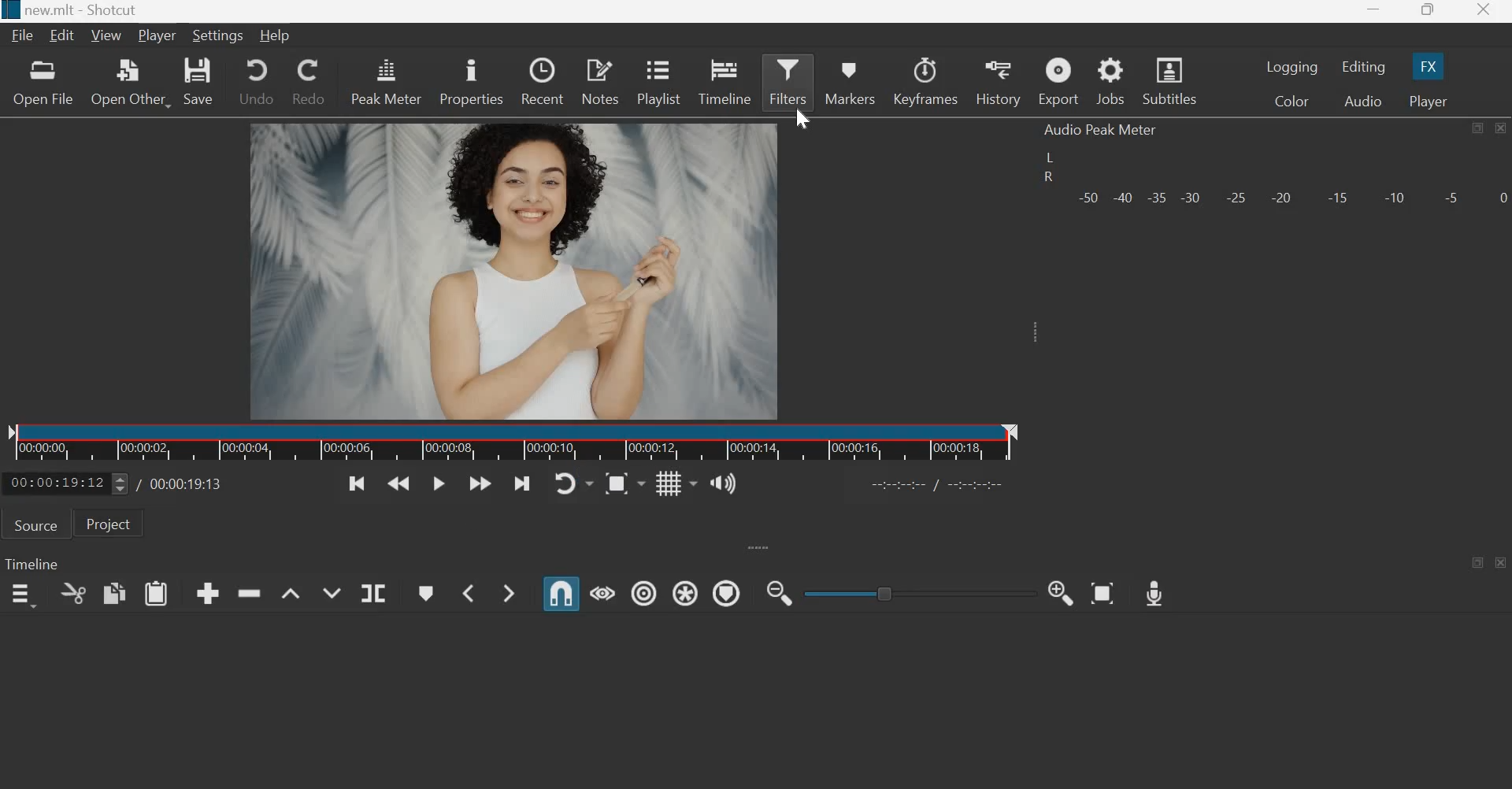  Describe the element at coordinates (939, 483) in the screenshot. I see `` at that location.